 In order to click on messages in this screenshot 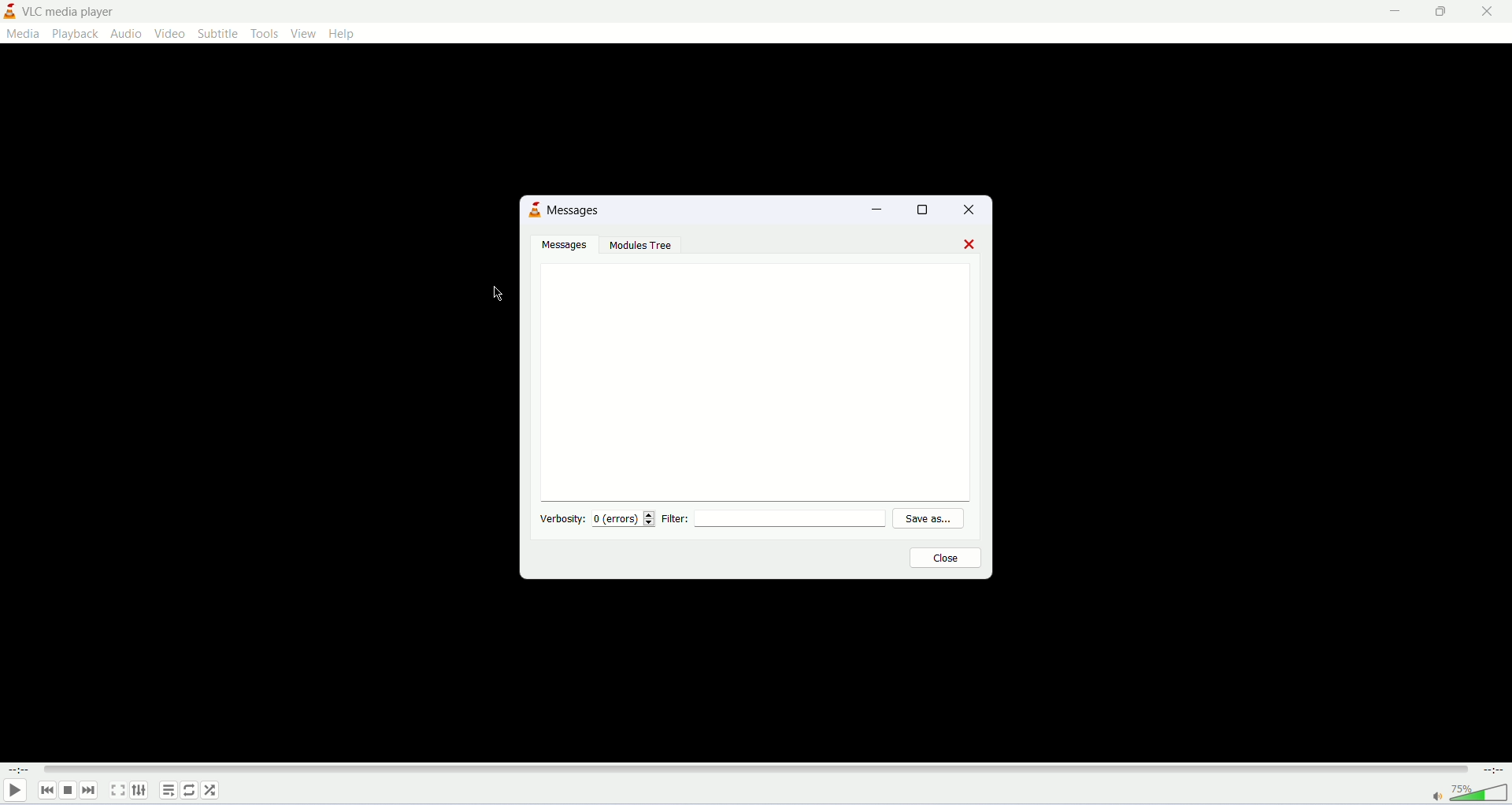, I will do `click(568, 244)`.